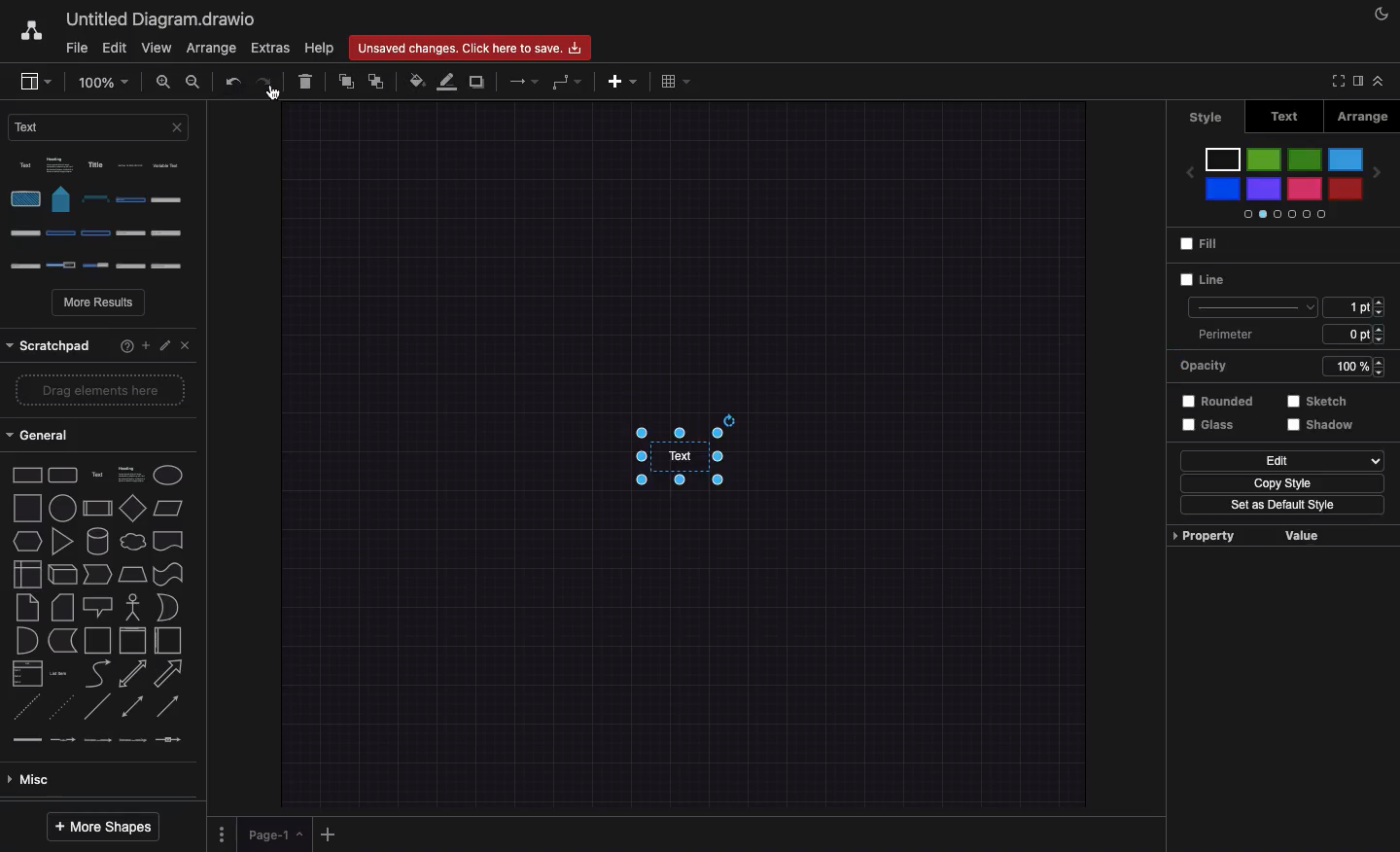  I want to click on Full screen, so click(1335, 81).